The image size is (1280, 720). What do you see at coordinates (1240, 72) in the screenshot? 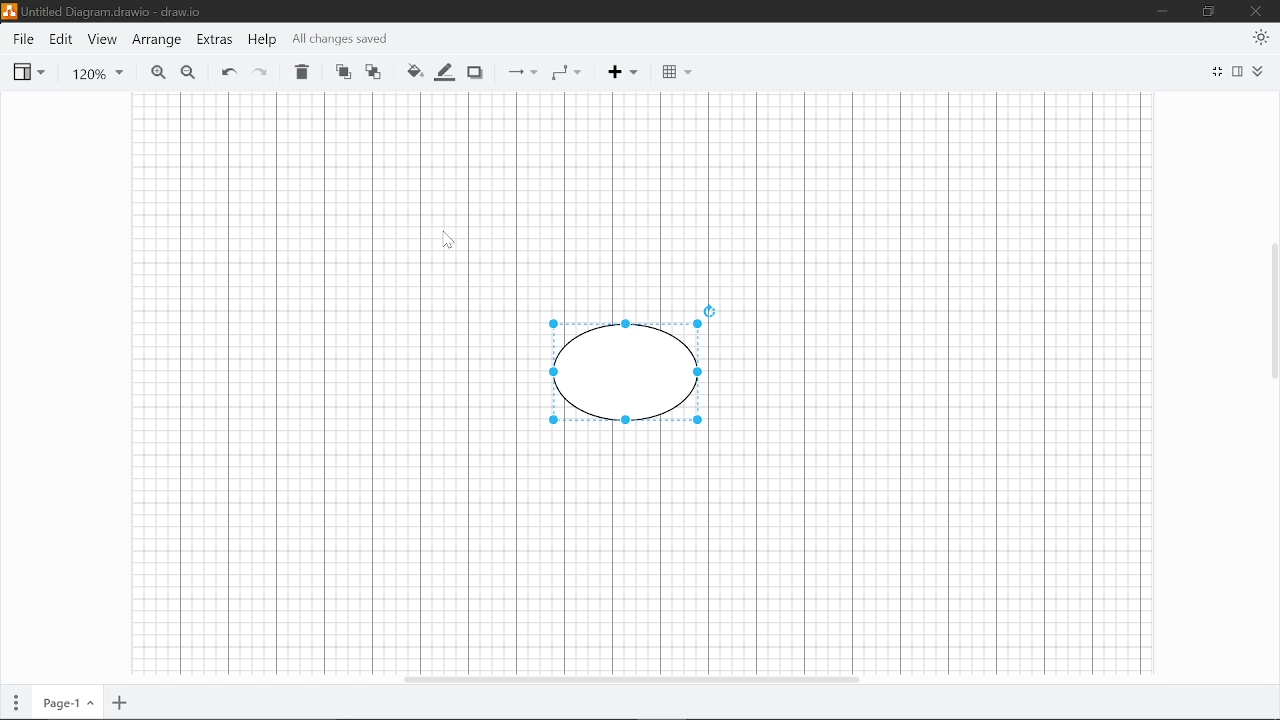
I see `Format` at bounding box center [1240, 72].